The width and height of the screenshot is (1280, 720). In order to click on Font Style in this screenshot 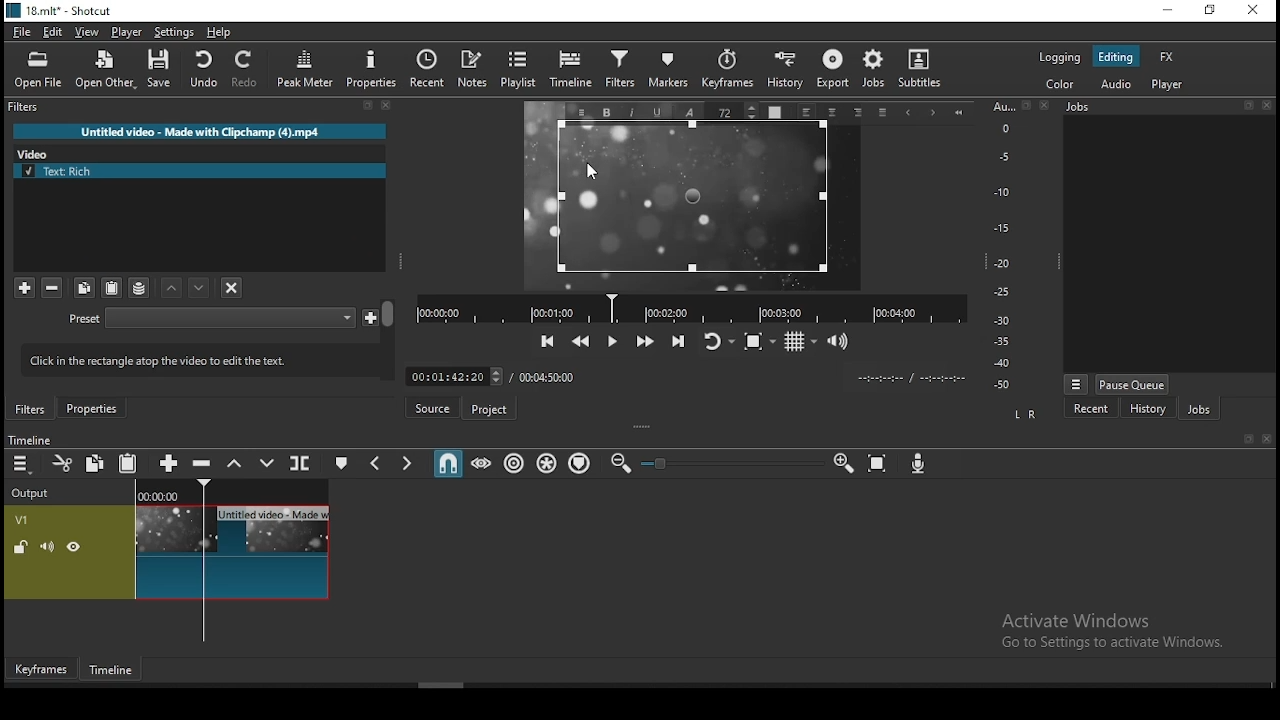, I will do `click(688, 111)`.